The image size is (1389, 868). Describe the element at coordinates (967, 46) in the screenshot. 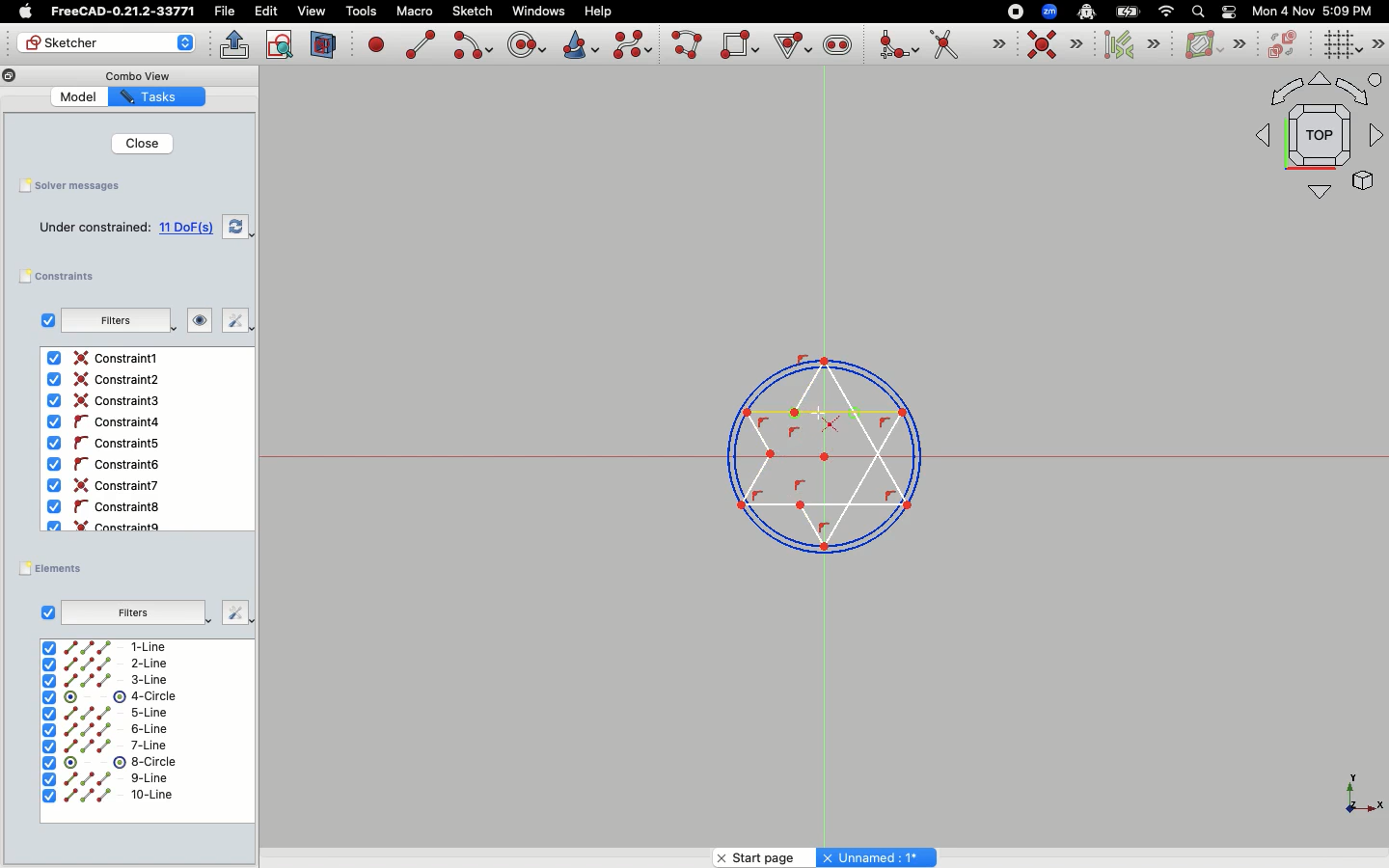

I see `Trim edge` at that location.